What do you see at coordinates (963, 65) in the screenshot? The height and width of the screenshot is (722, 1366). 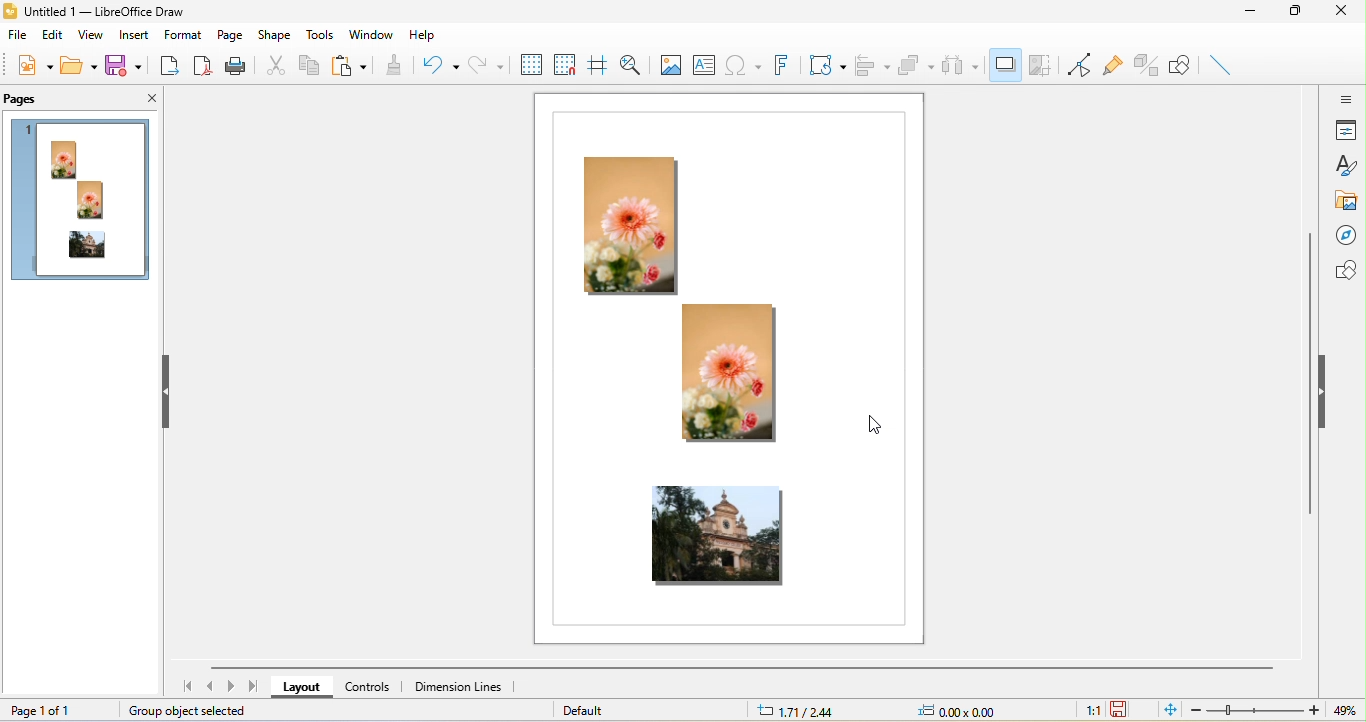 I see `select at least three object to distribute` at bounding box center [963, 65].